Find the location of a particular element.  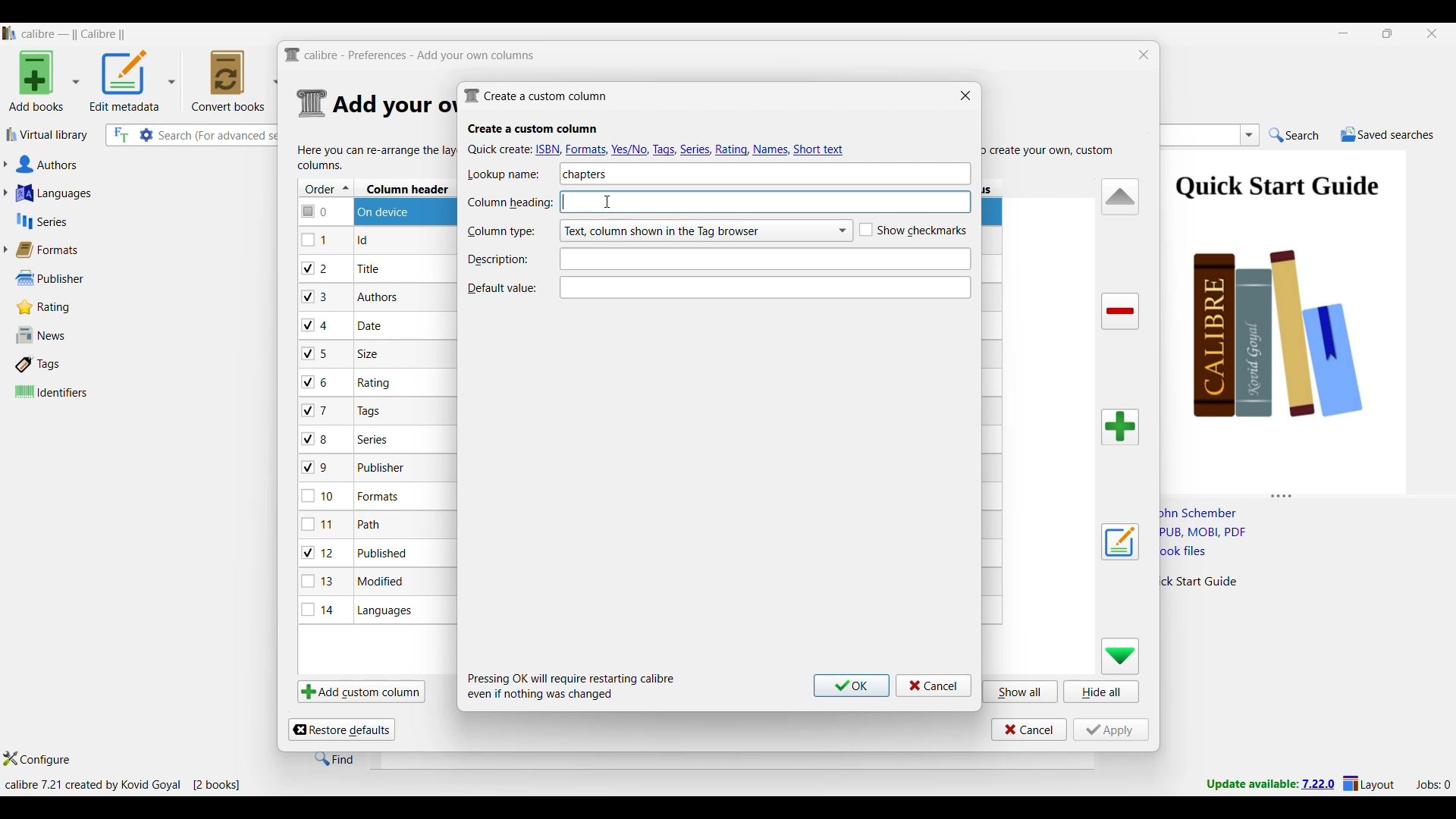

cursor is located at coordinates (608, 200).